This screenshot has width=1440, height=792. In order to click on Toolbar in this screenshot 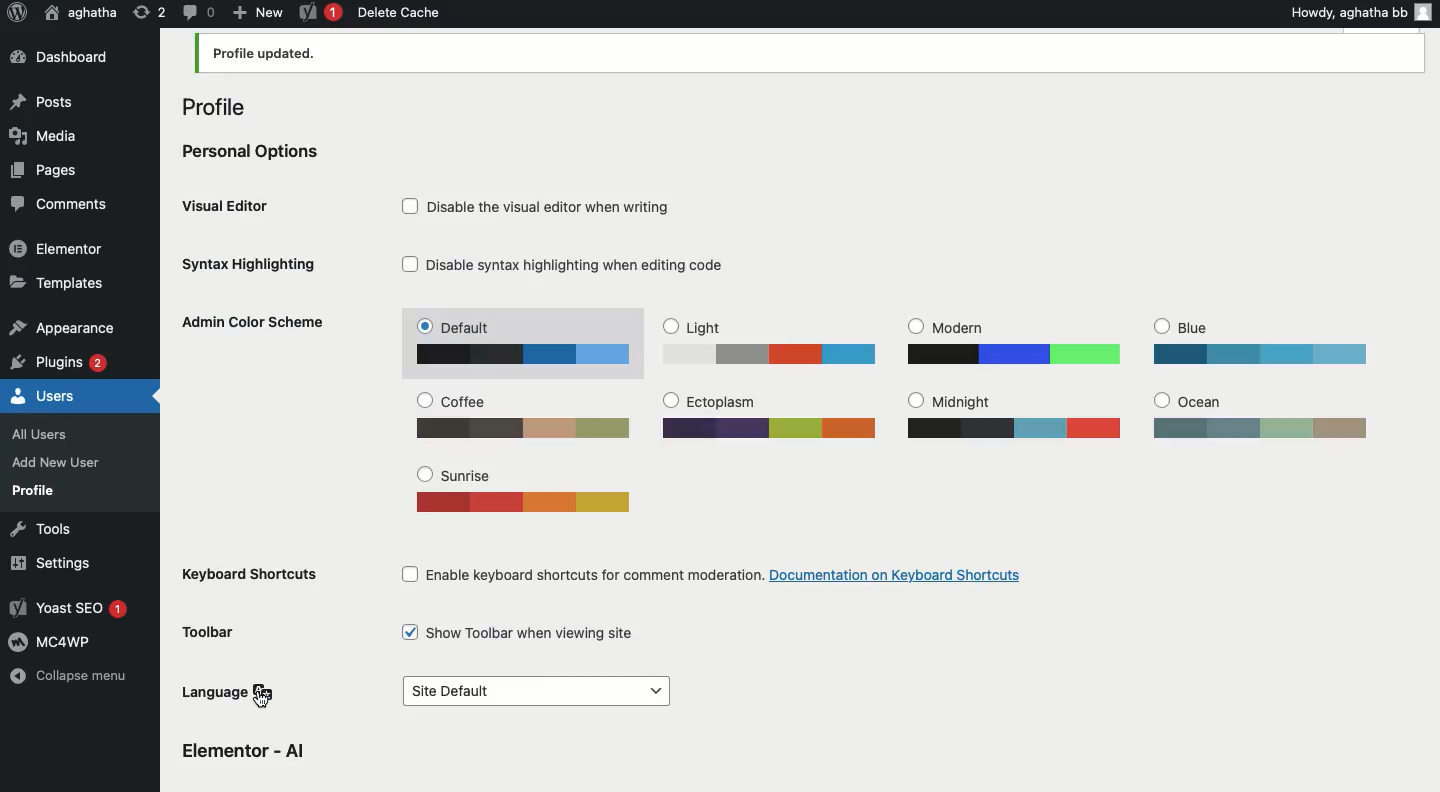, I will do `click(215, 632)`.